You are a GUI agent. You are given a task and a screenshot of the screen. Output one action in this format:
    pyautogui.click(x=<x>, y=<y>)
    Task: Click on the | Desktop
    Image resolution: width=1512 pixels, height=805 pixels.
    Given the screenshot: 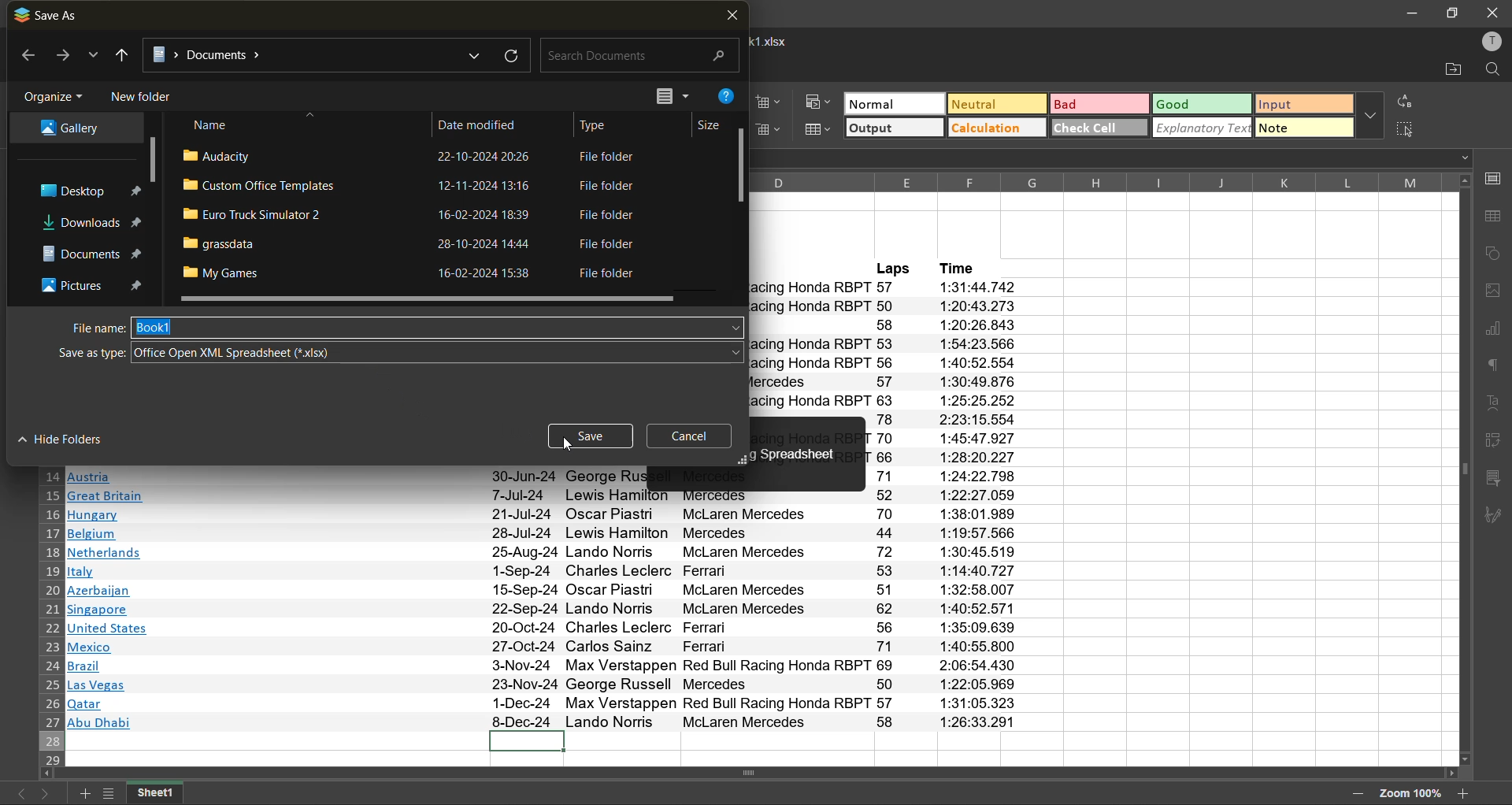 What is the action you would take?
    pyautogui.click(x=91, y=193)
    